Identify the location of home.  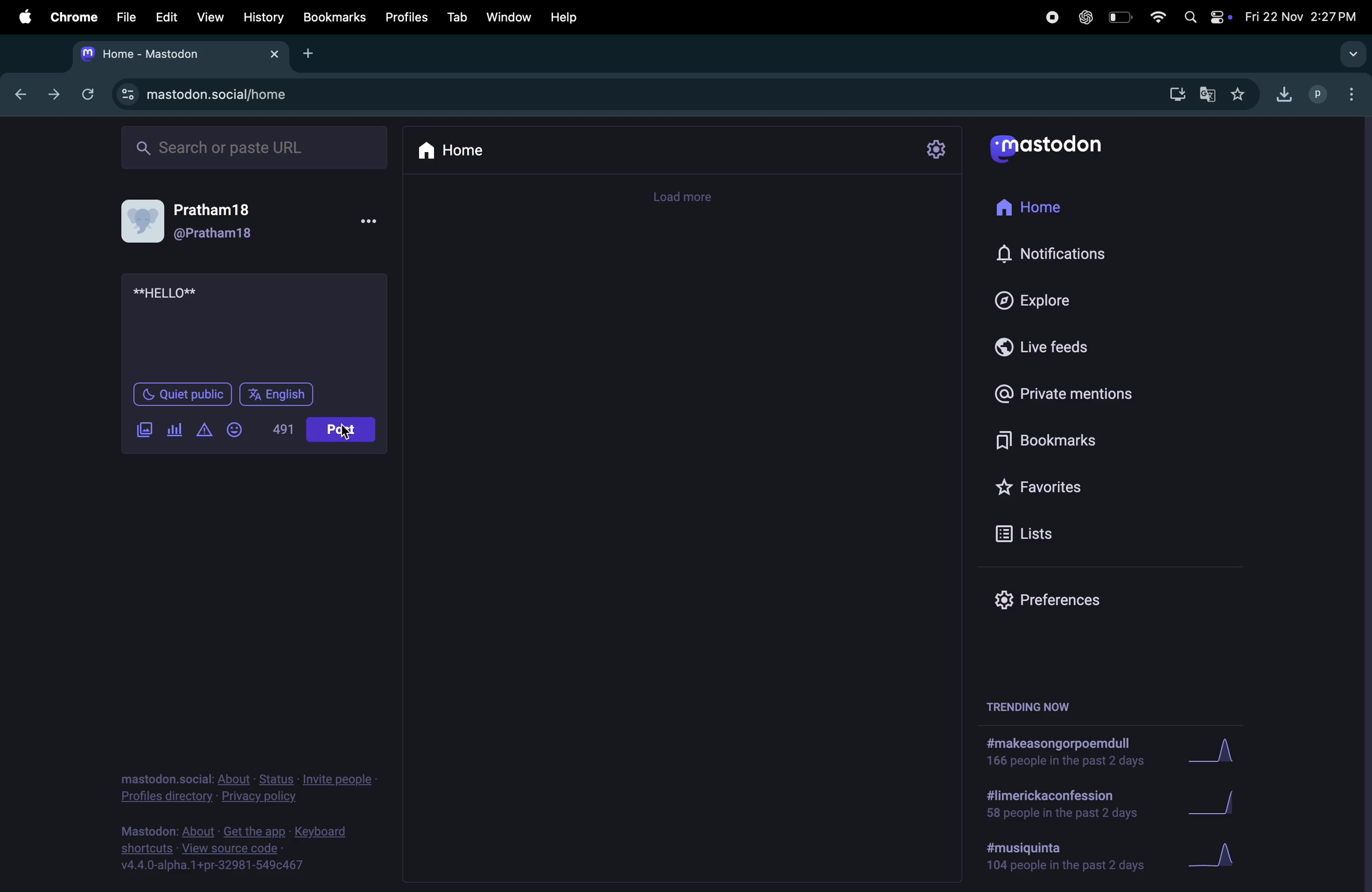
(1048, 206).